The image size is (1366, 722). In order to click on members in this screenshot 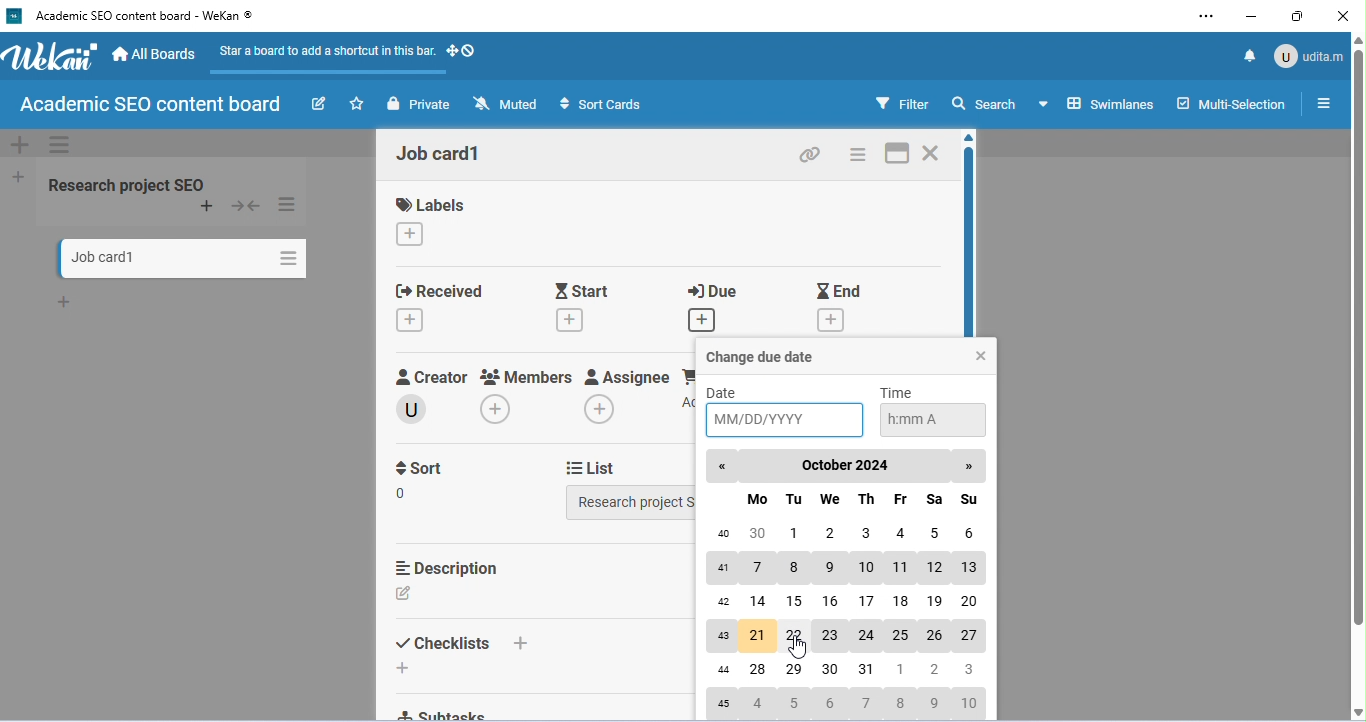, I will do `click(529, 376)`.